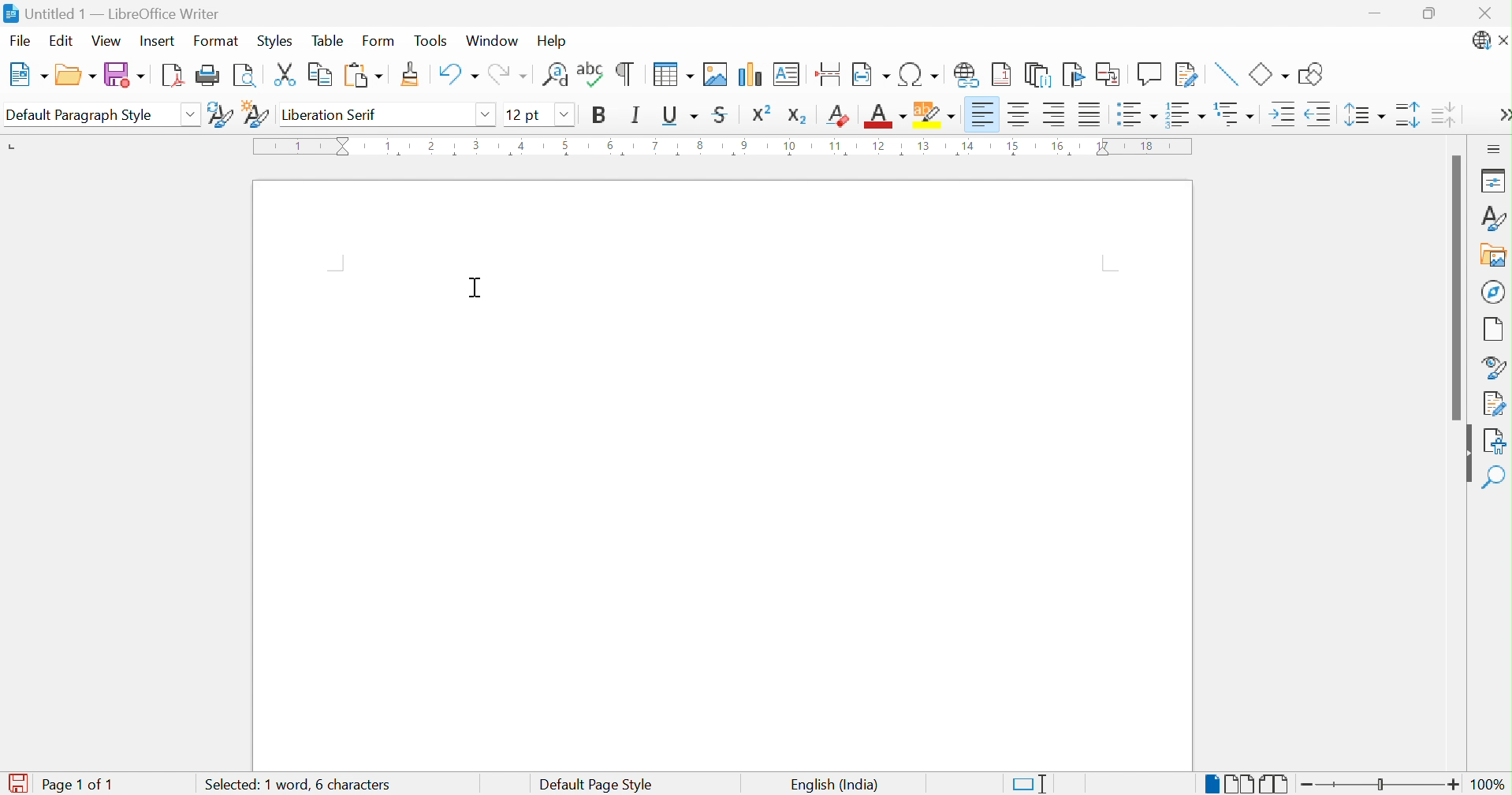 The width and height of the screenshot is (1512, 795). What do you see at coordinates (107, 42) in the screenshot?
I see `View` at bounding box center [107, 42].